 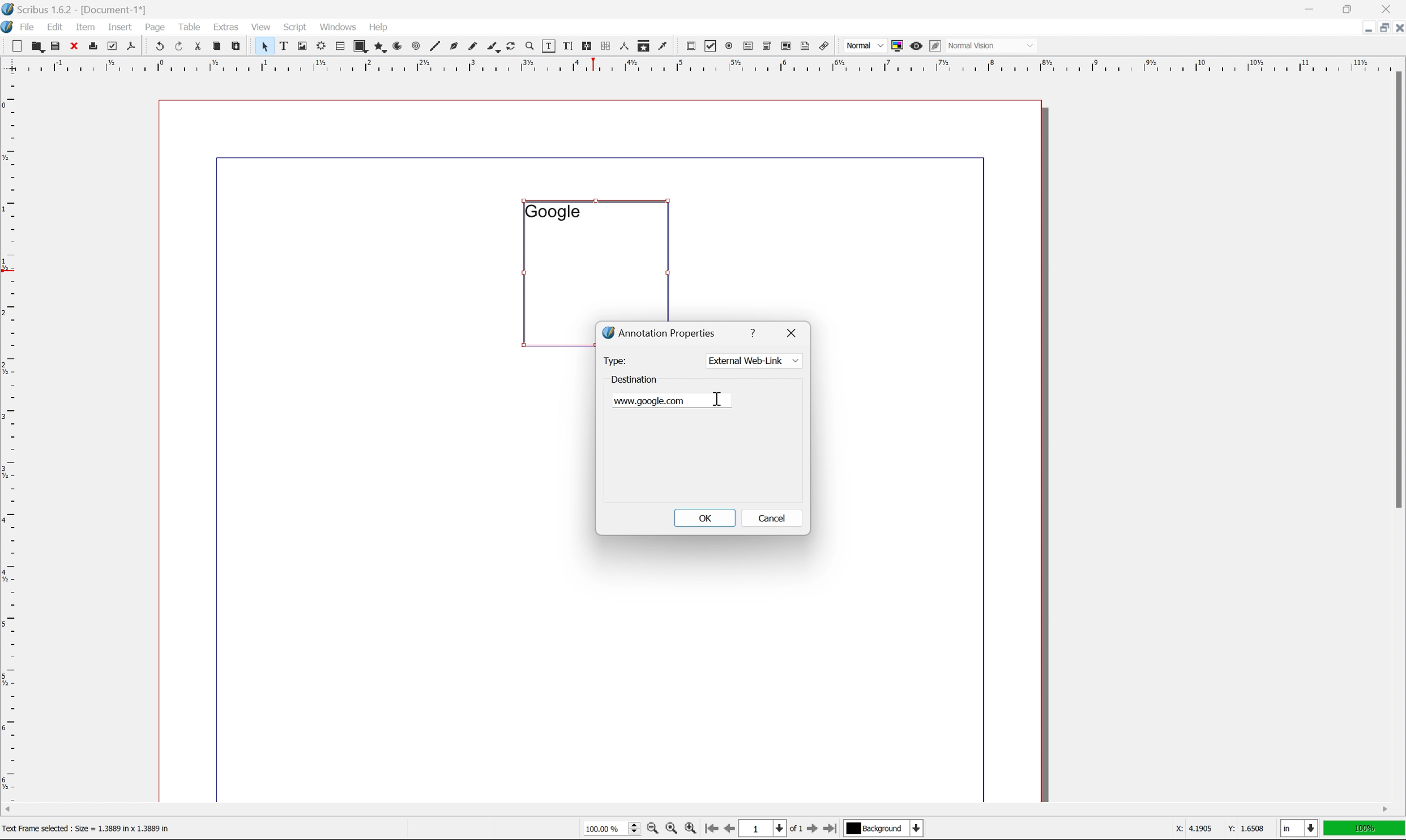 I want to click on go to last page, so click(x=830, y=829).